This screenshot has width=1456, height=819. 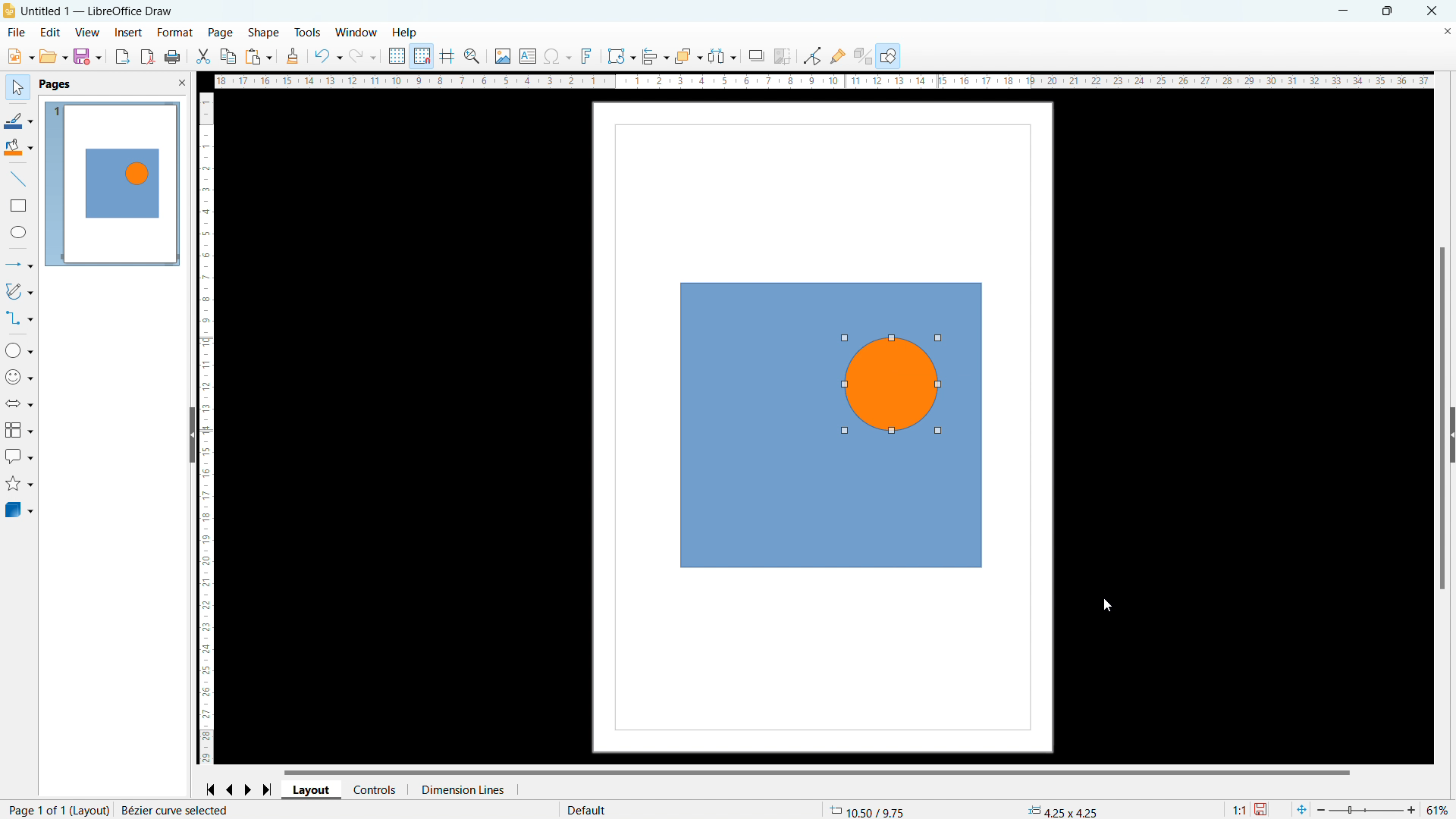 What do you see at coordinates (202, 57) in the screenshot?
I see `cut` at bounding box center [202, 57].